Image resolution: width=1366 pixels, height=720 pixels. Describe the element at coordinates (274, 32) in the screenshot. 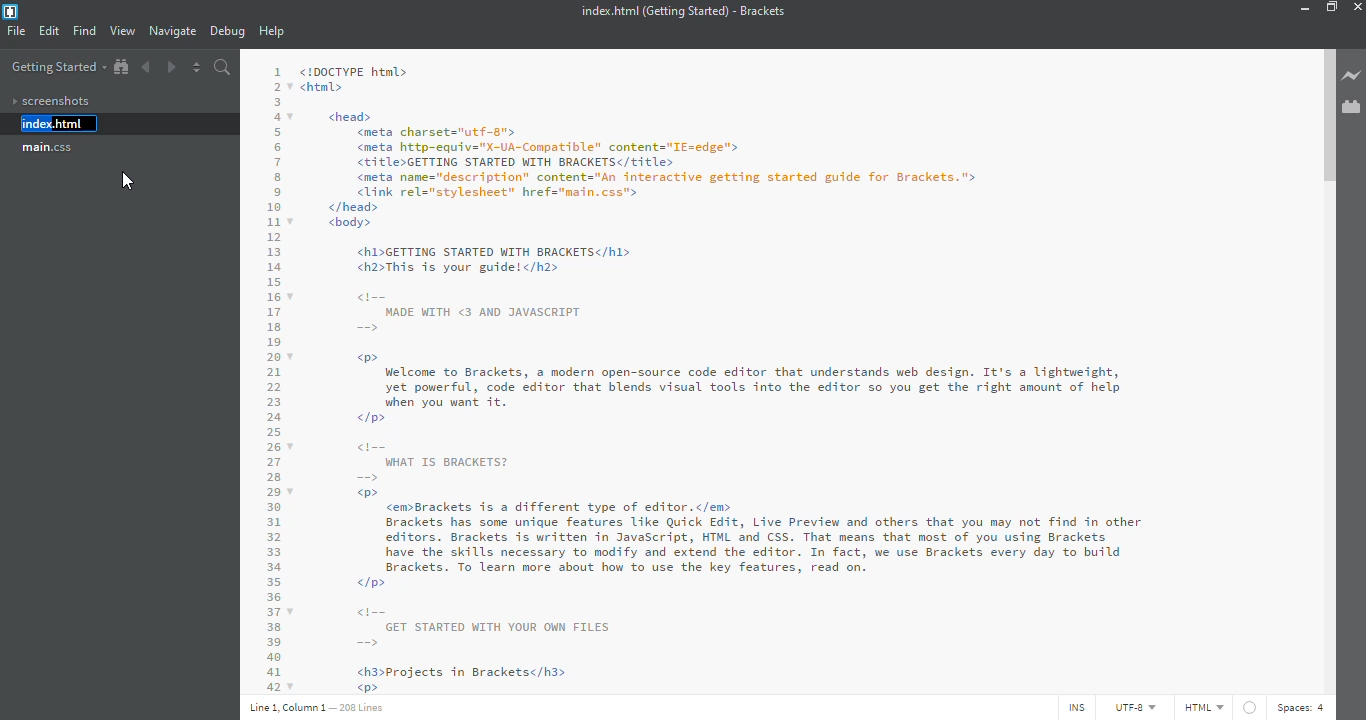

I see `help` at that location.